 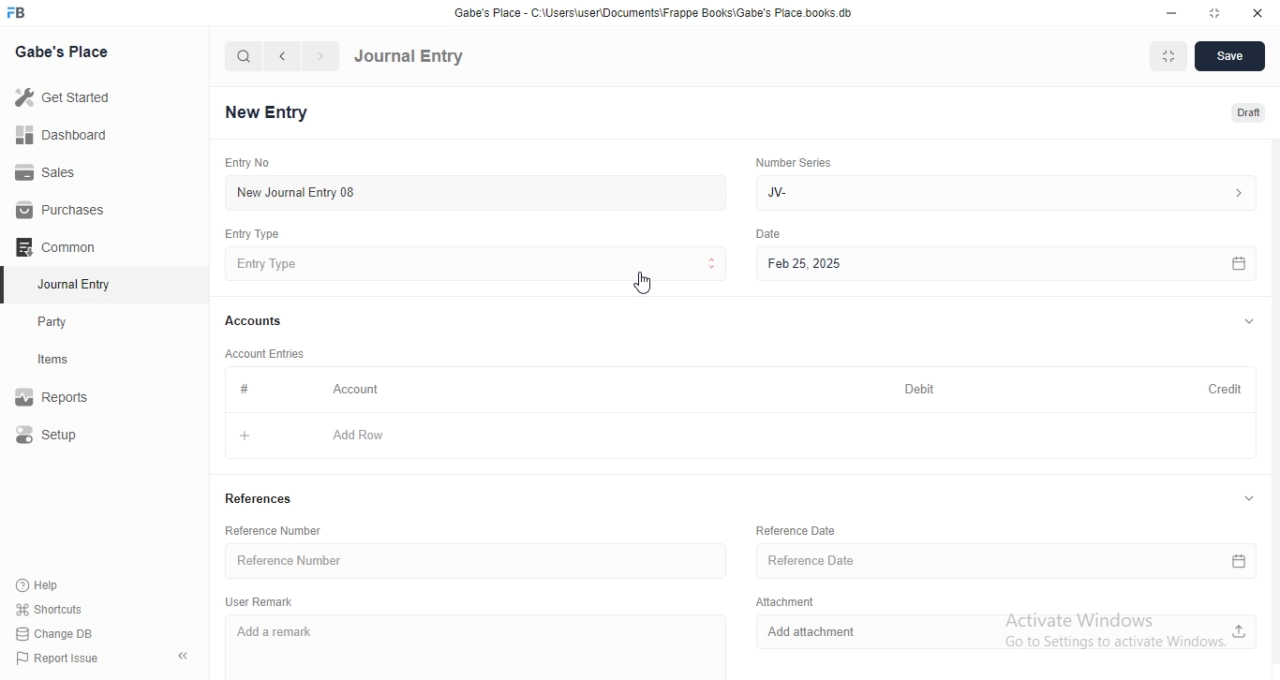 I want to click on expand/collapse, so click(x=1248, y=323).